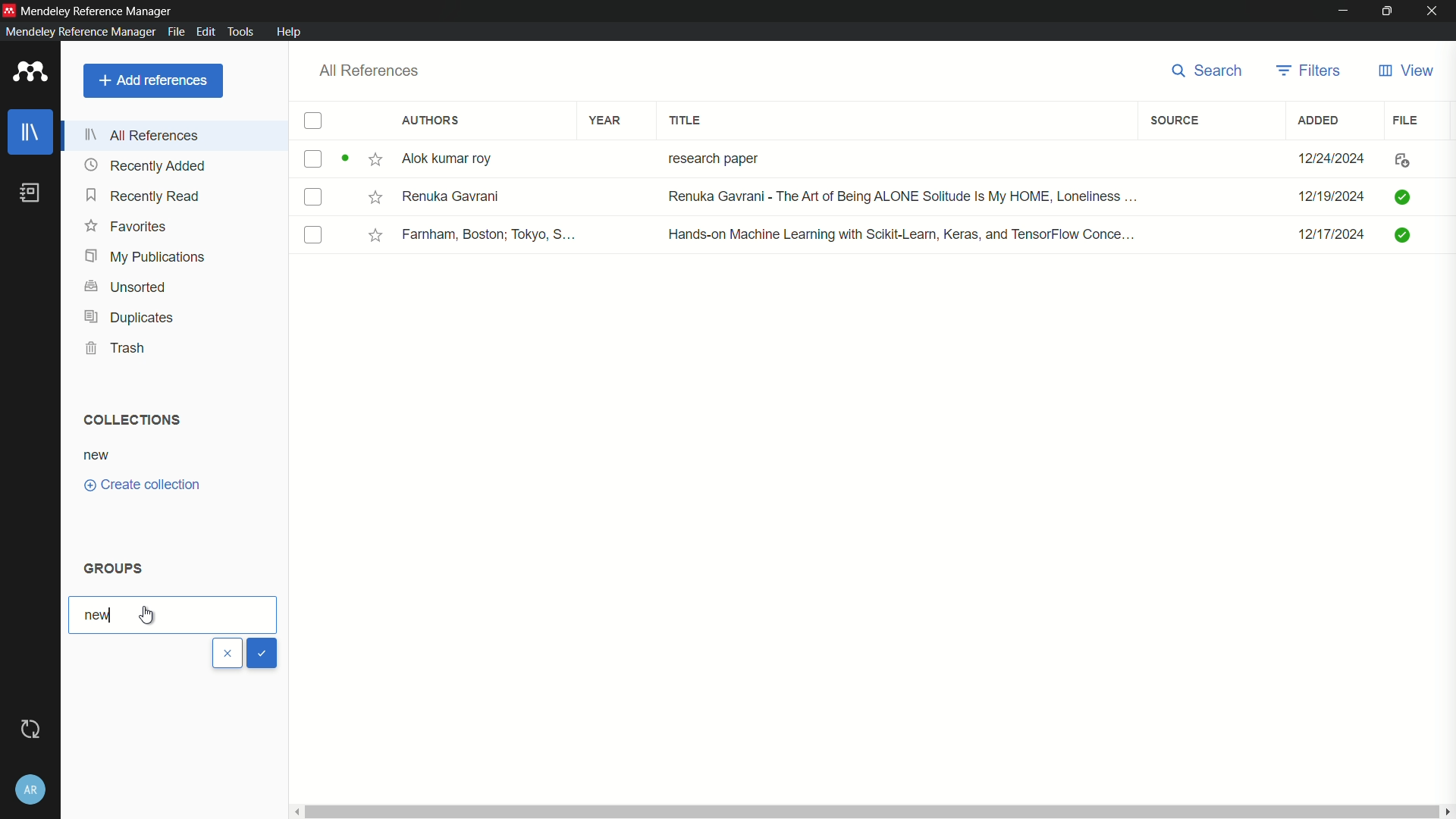 This screenshot has height=819, width=1456. I want to click on book-2, so click(315, 199).